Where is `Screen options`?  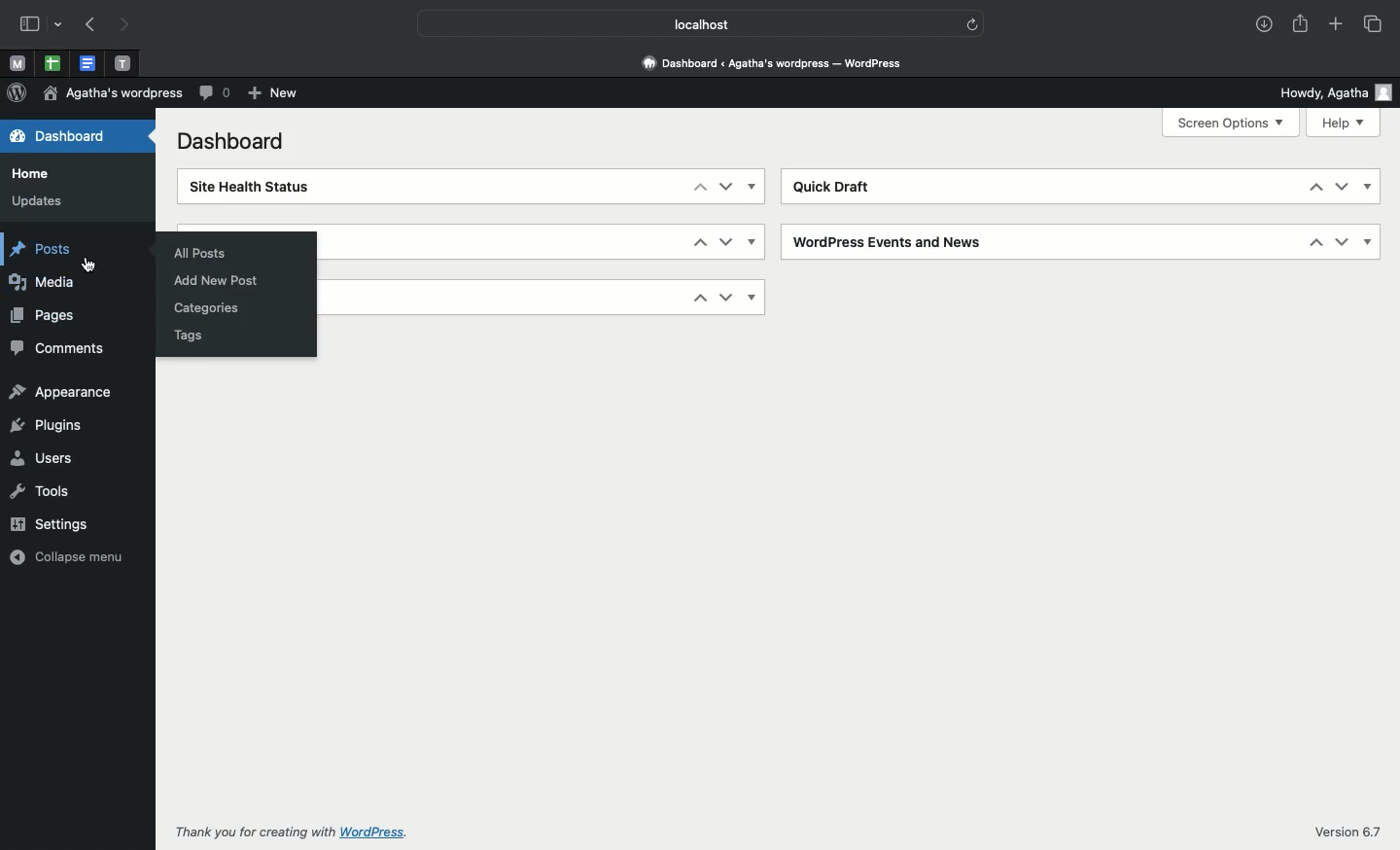
Screen options is located at coordinates (1230, 124).